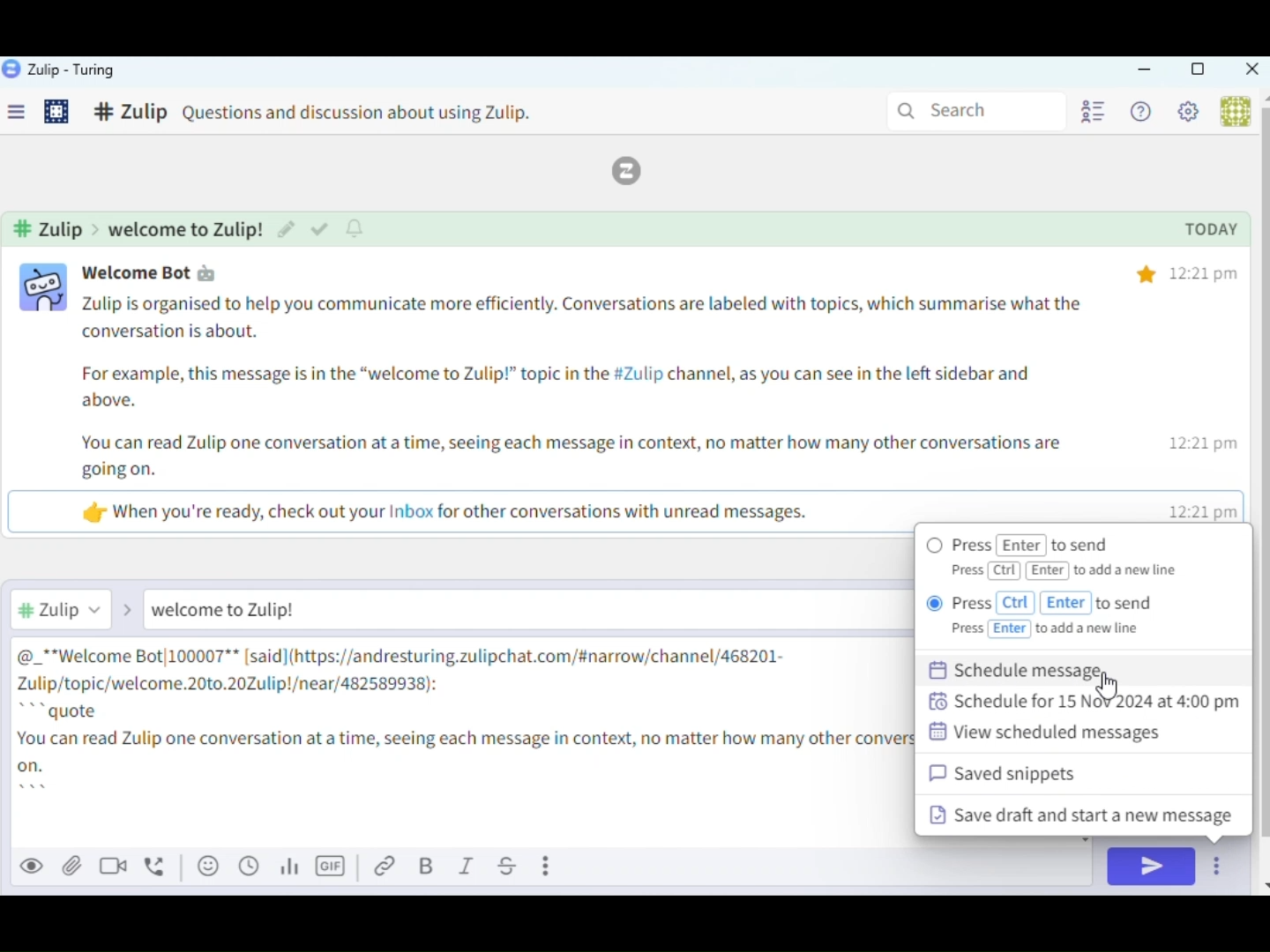  Describe the element at coordinates (250, 866) in the screenshot. I see `Schedule` at that location.